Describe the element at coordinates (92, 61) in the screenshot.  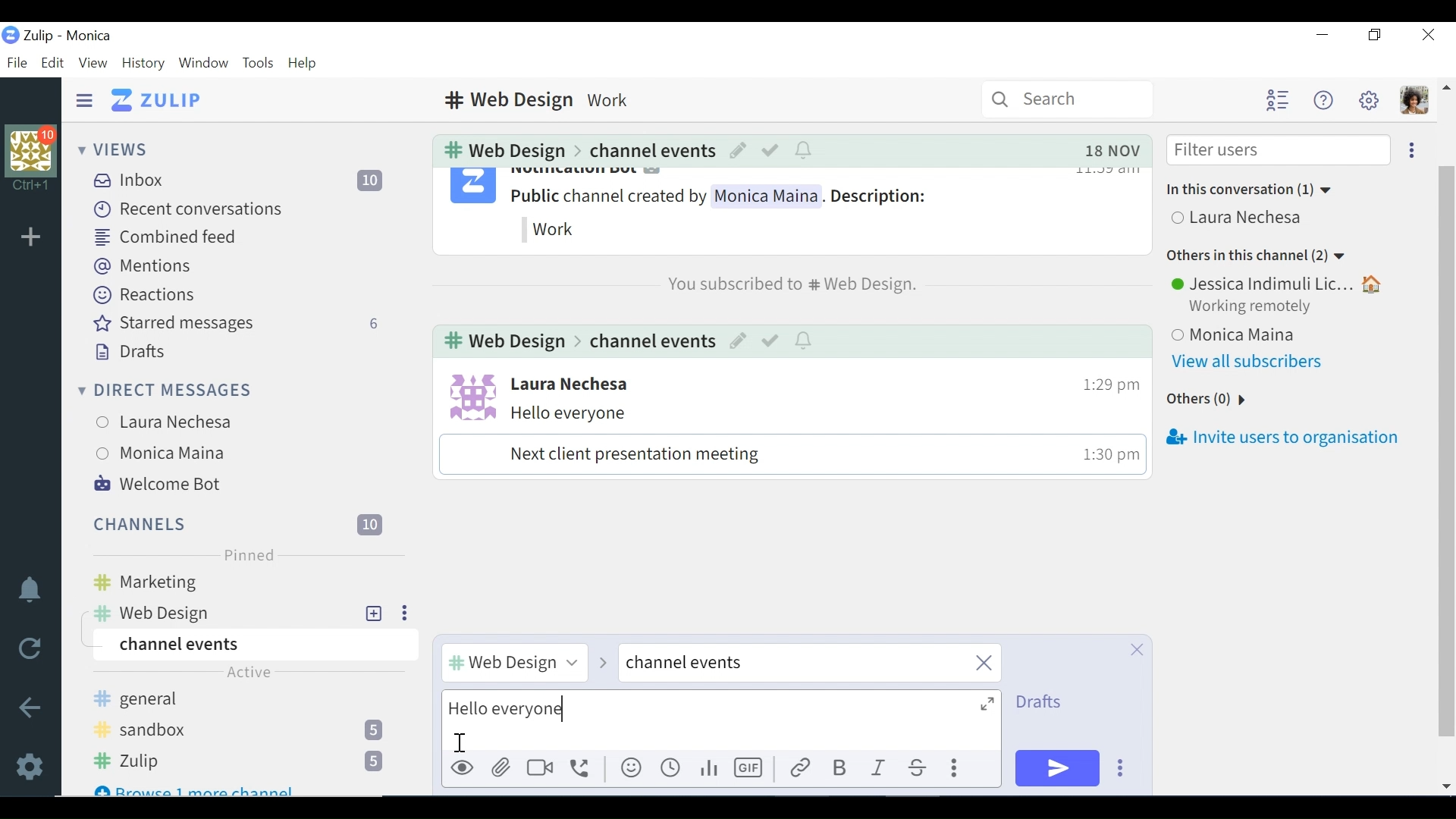
I see `View` at that location.